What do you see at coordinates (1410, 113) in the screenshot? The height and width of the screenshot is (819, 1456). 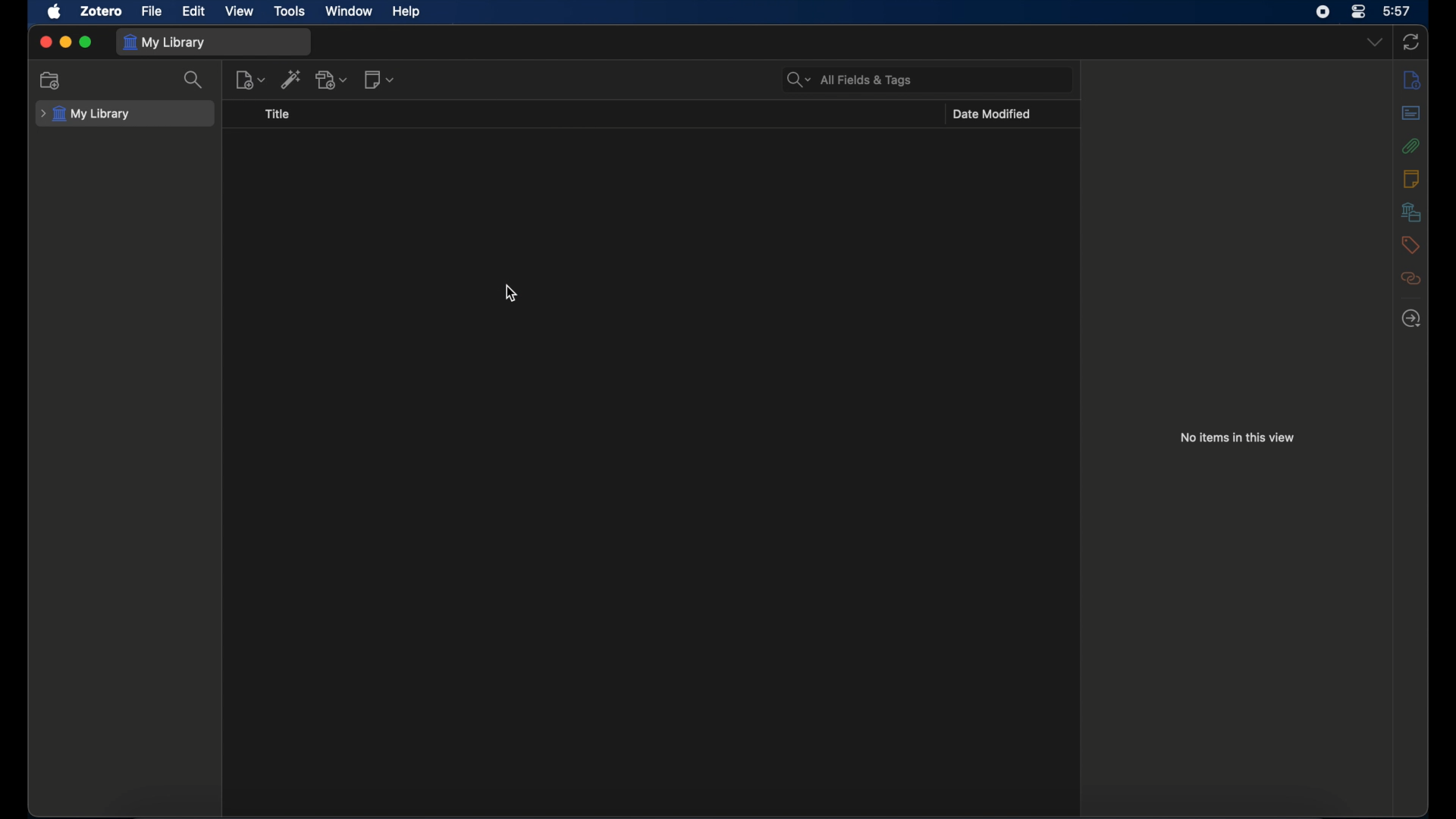 I see `abstract` at bounding box center [1410, 113].